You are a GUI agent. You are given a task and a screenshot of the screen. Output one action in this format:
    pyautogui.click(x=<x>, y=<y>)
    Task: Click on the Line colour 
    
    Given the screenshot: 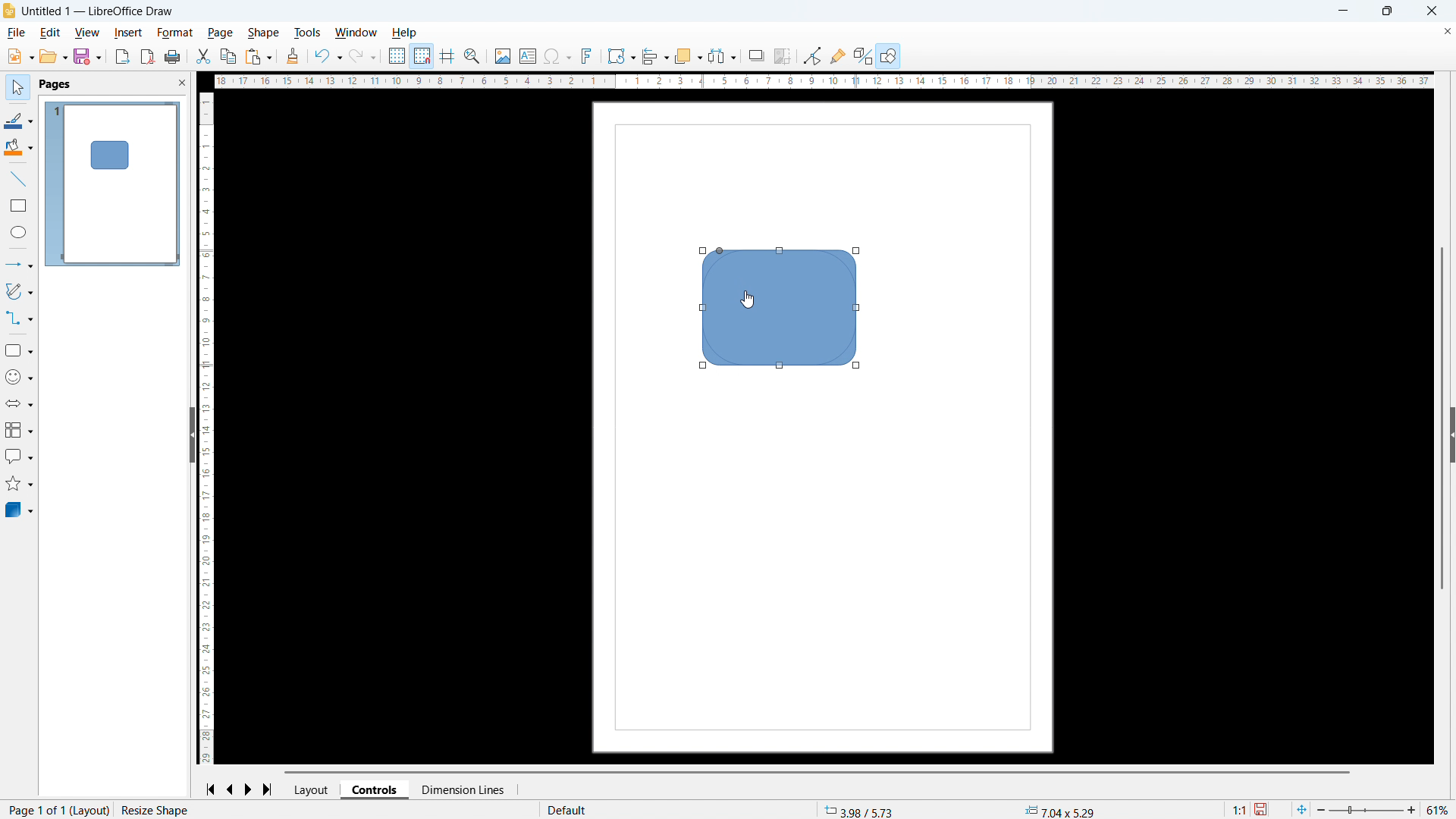 What is the action you would take?
    pyautogui.click(x=18, y=120)
    